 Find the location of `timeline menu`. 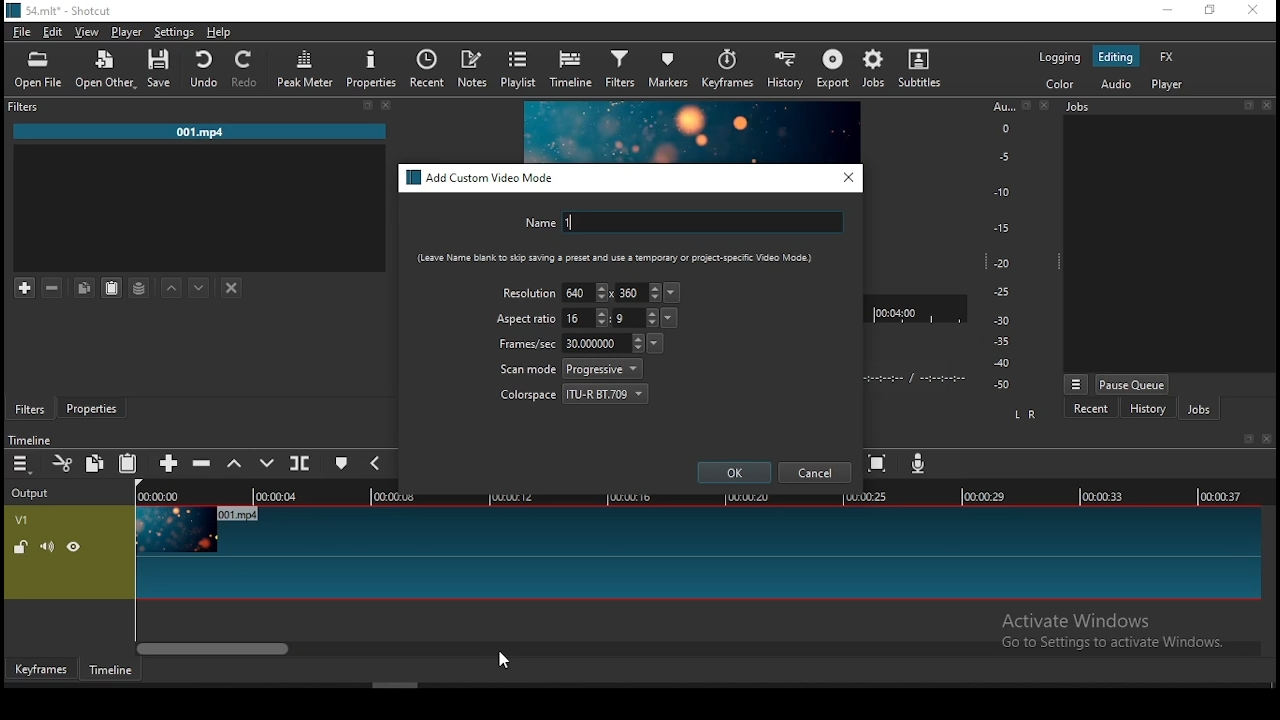

timeline menu is located at coordinates (24, 464).